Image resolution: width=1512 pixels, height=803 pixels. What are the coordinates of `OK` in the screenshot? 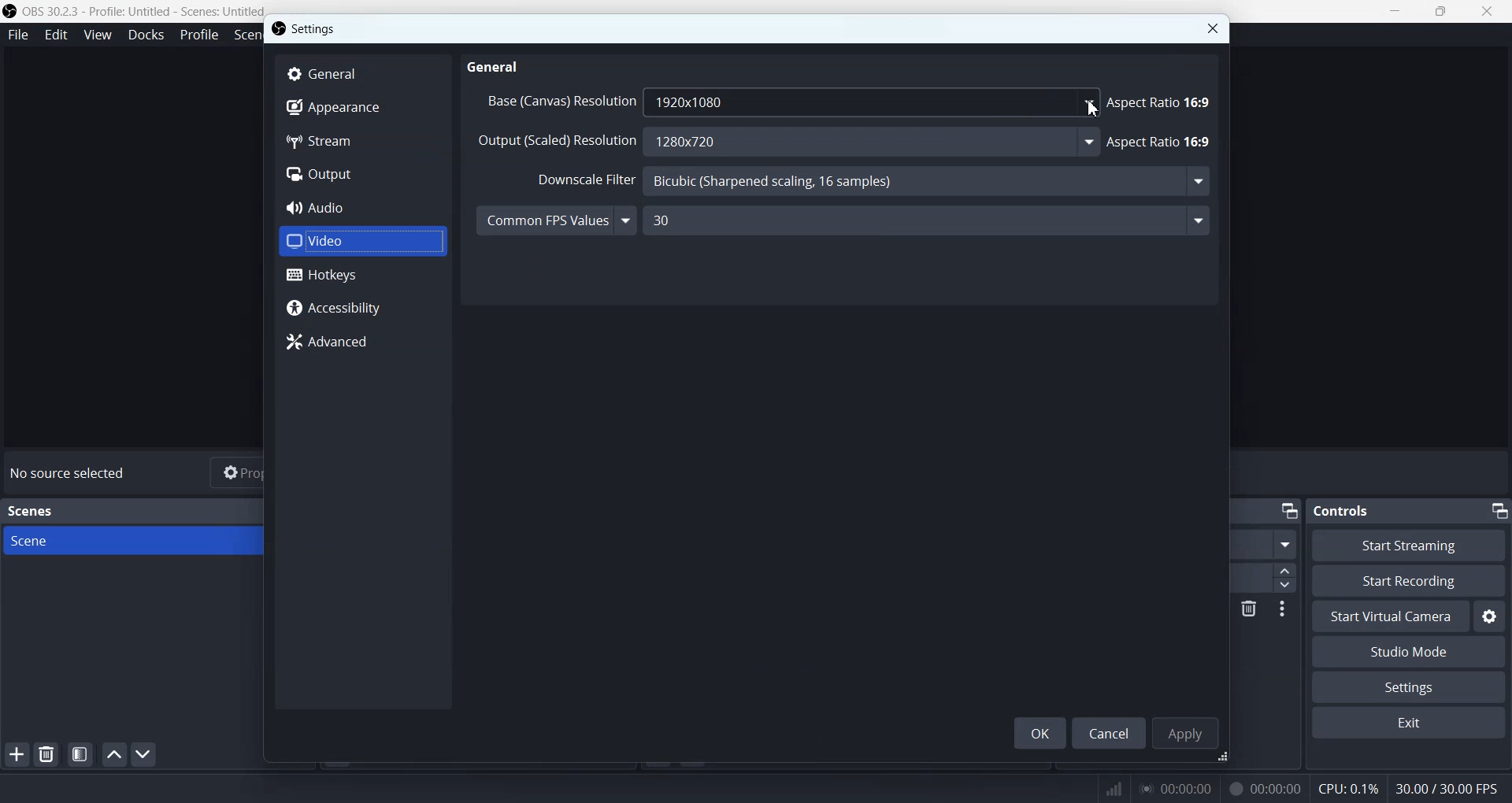 It's located at (1039, 733).